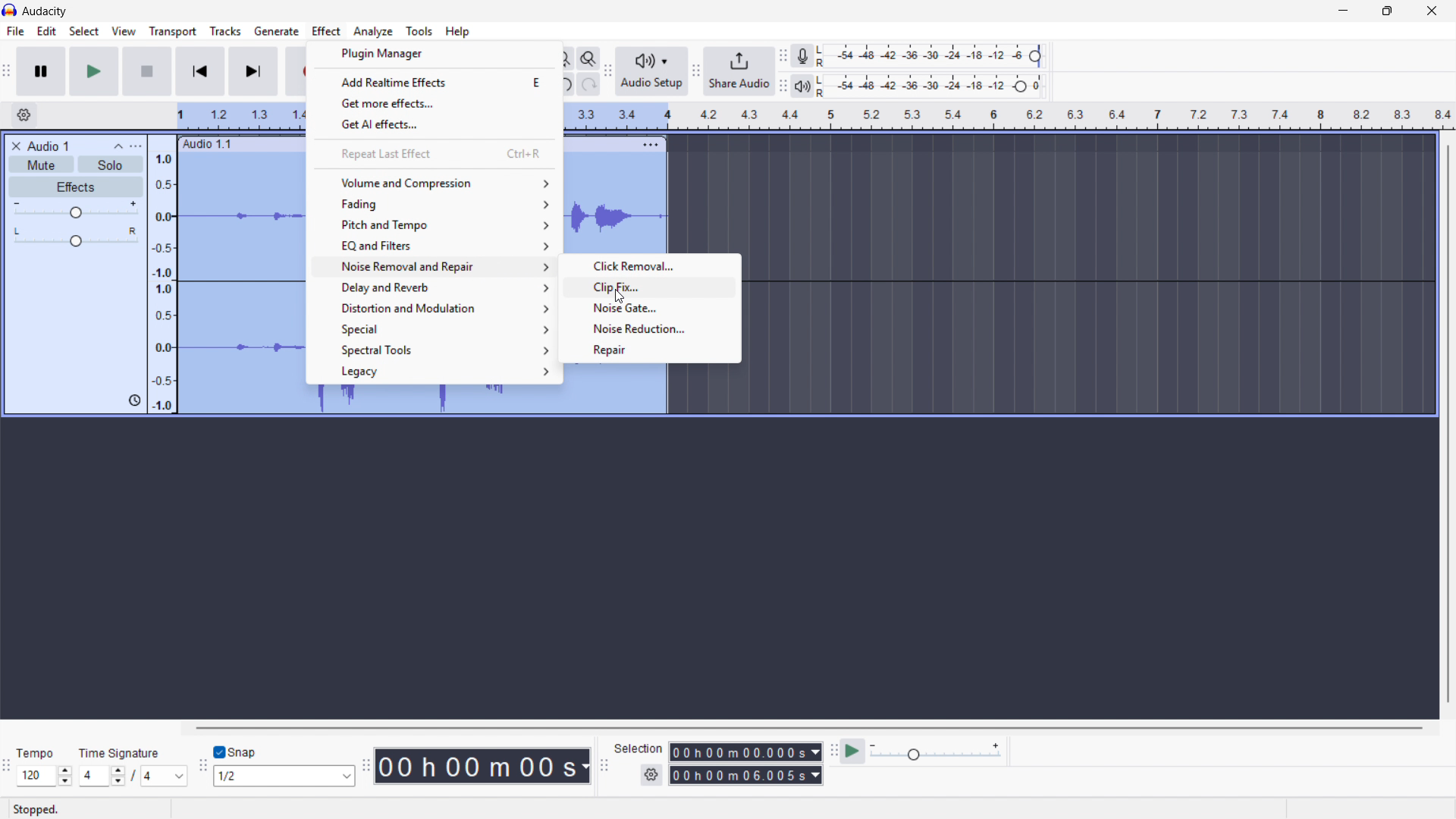 The width and height of the screenshot is (1456, 819). I want to click on View , so click(124, 31).